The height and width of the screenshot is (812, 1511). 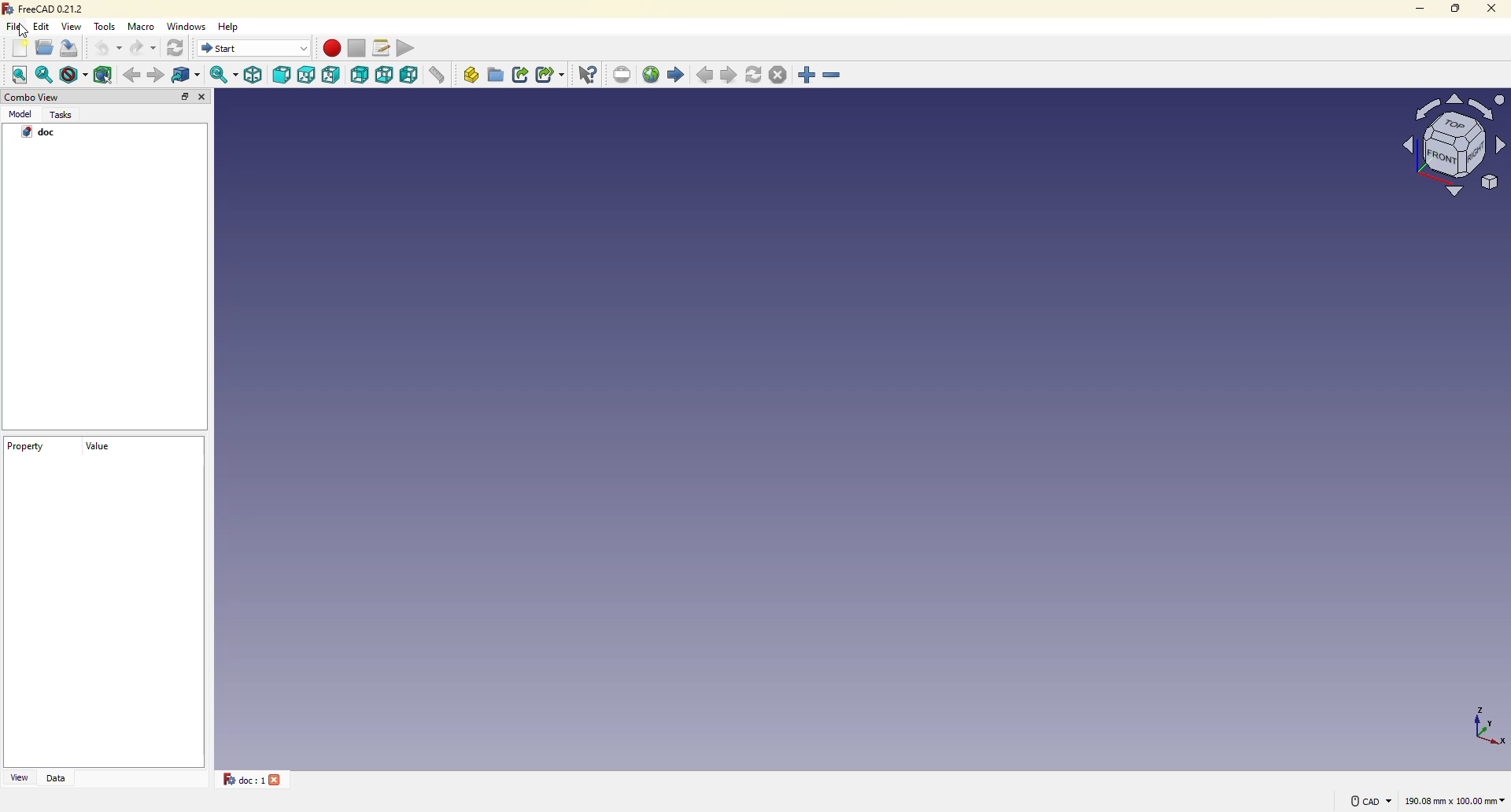 What do you see at coordinates (331, 48) in the screenshot?
I see `macro recording` at bounding box center [331, 48].